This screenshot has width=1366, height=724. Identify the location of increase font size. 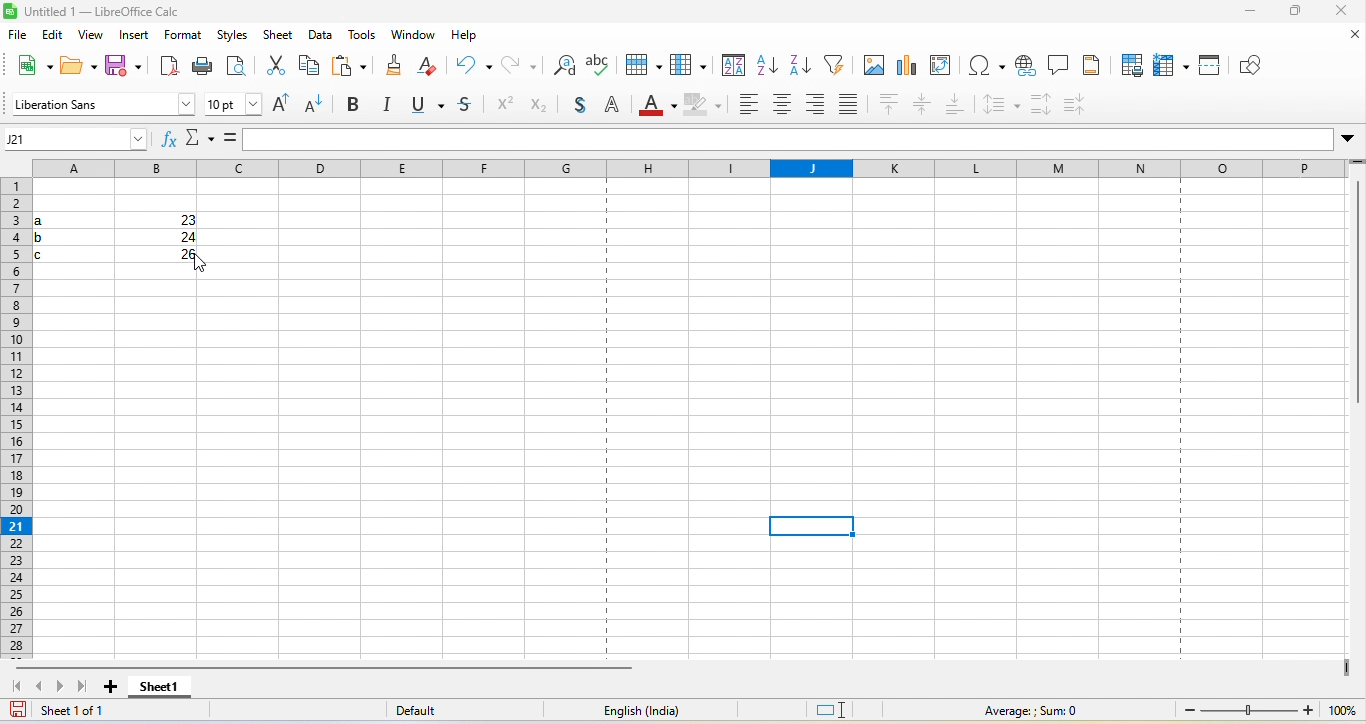
(280, 105).